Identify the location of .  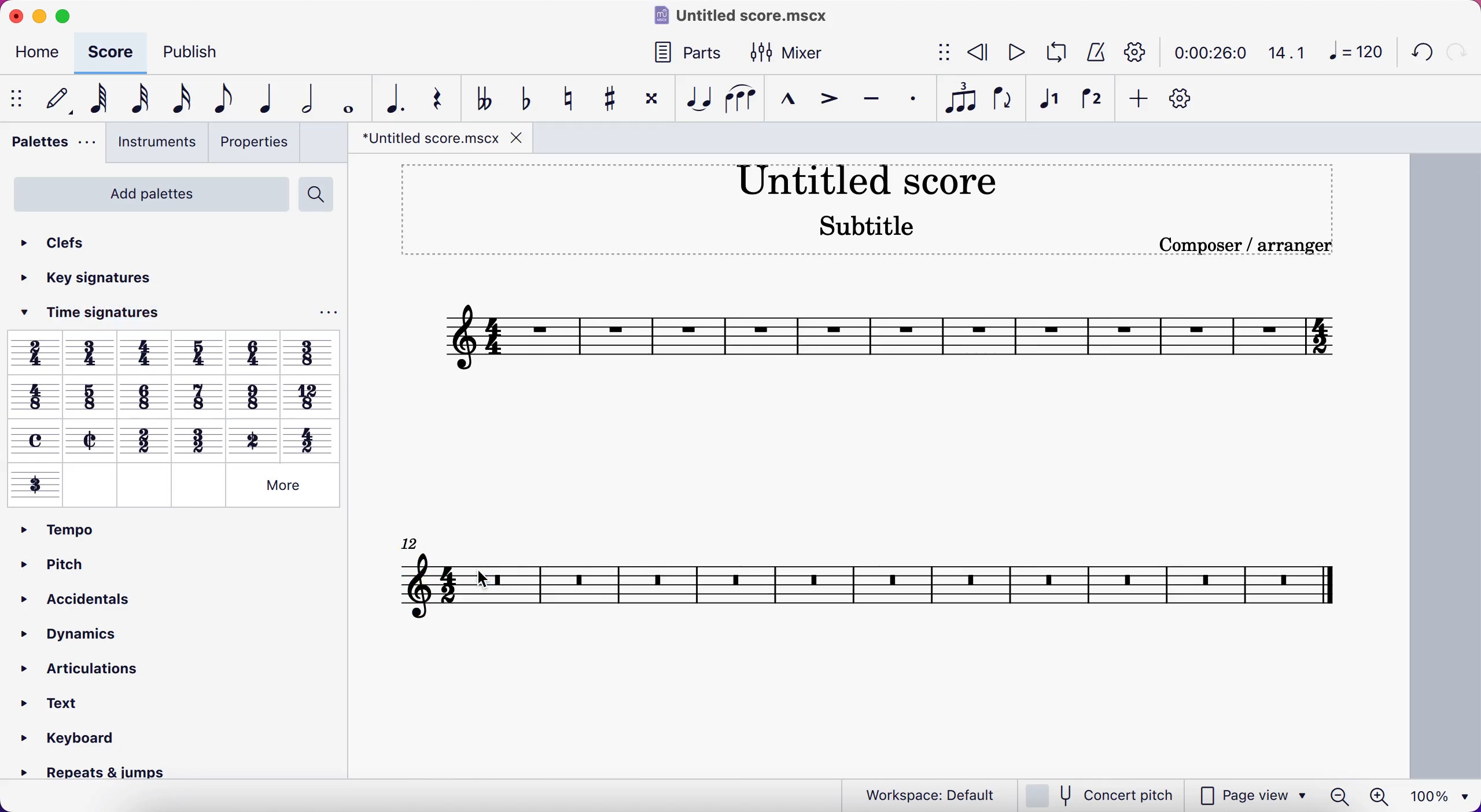
(200, 353).